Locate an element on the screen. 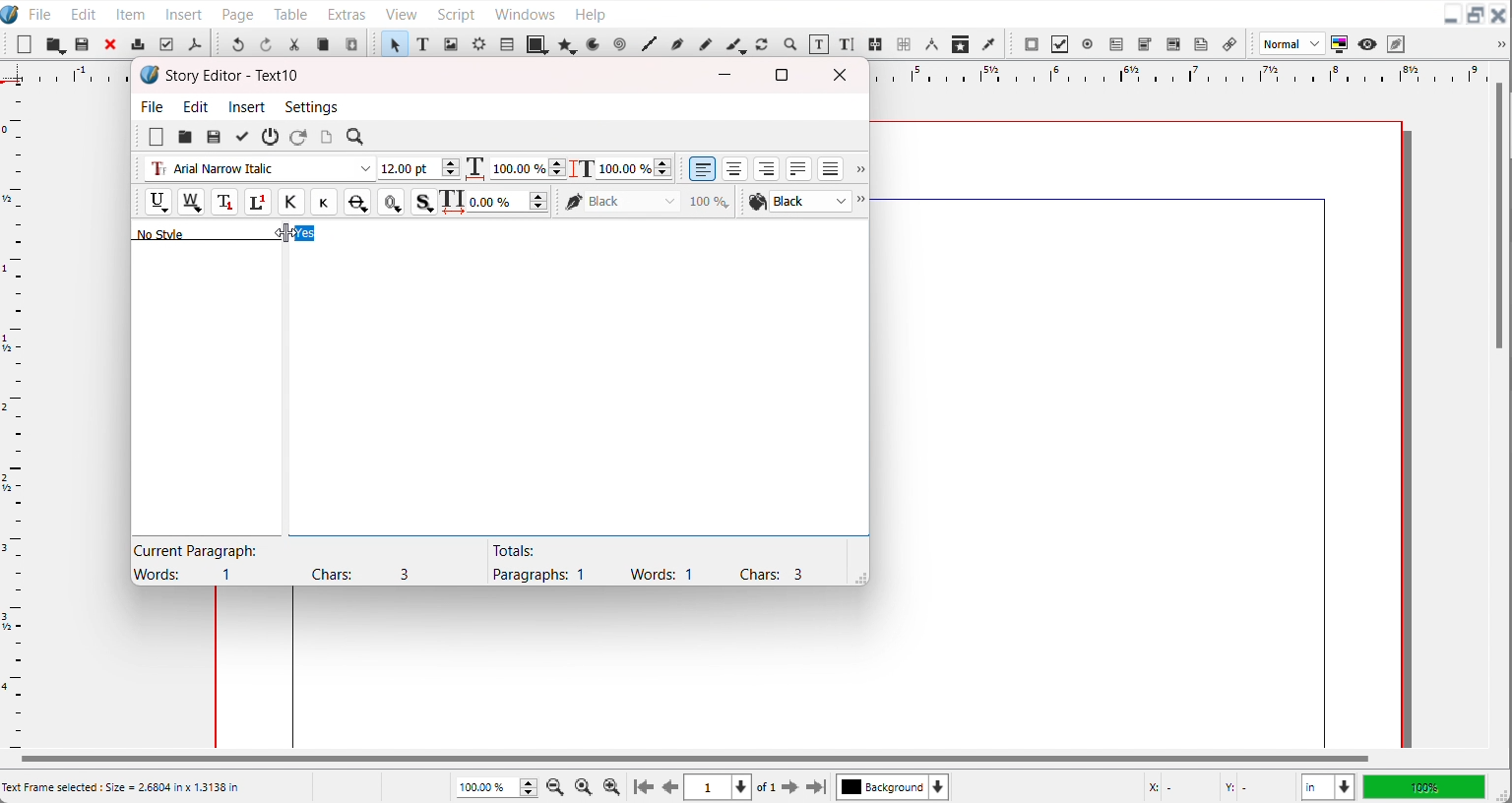  Vertical scroll bar is located at coordinates (1499, 217).